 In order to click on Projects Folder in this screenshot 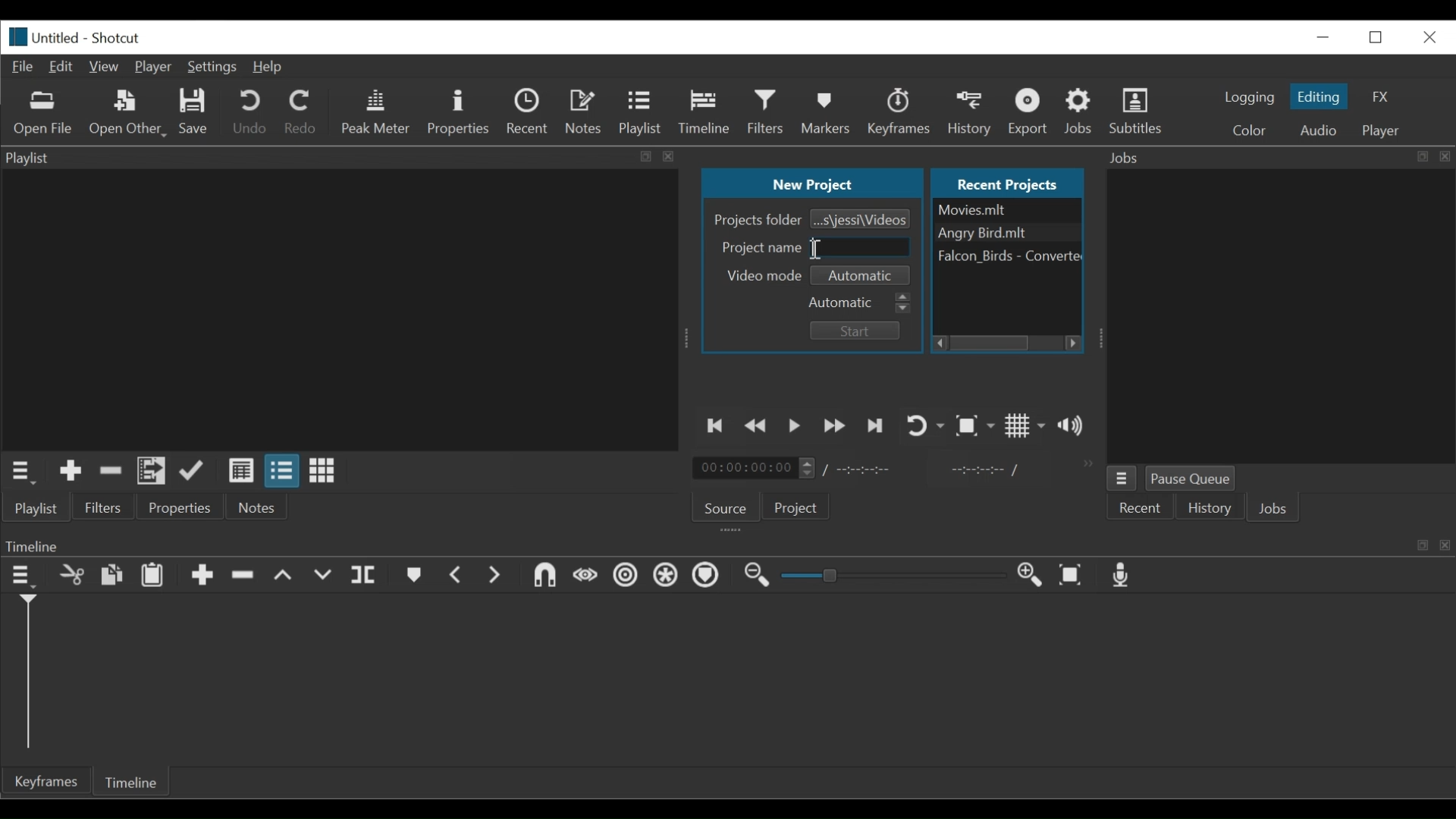, I will do `click(758, 221)`.